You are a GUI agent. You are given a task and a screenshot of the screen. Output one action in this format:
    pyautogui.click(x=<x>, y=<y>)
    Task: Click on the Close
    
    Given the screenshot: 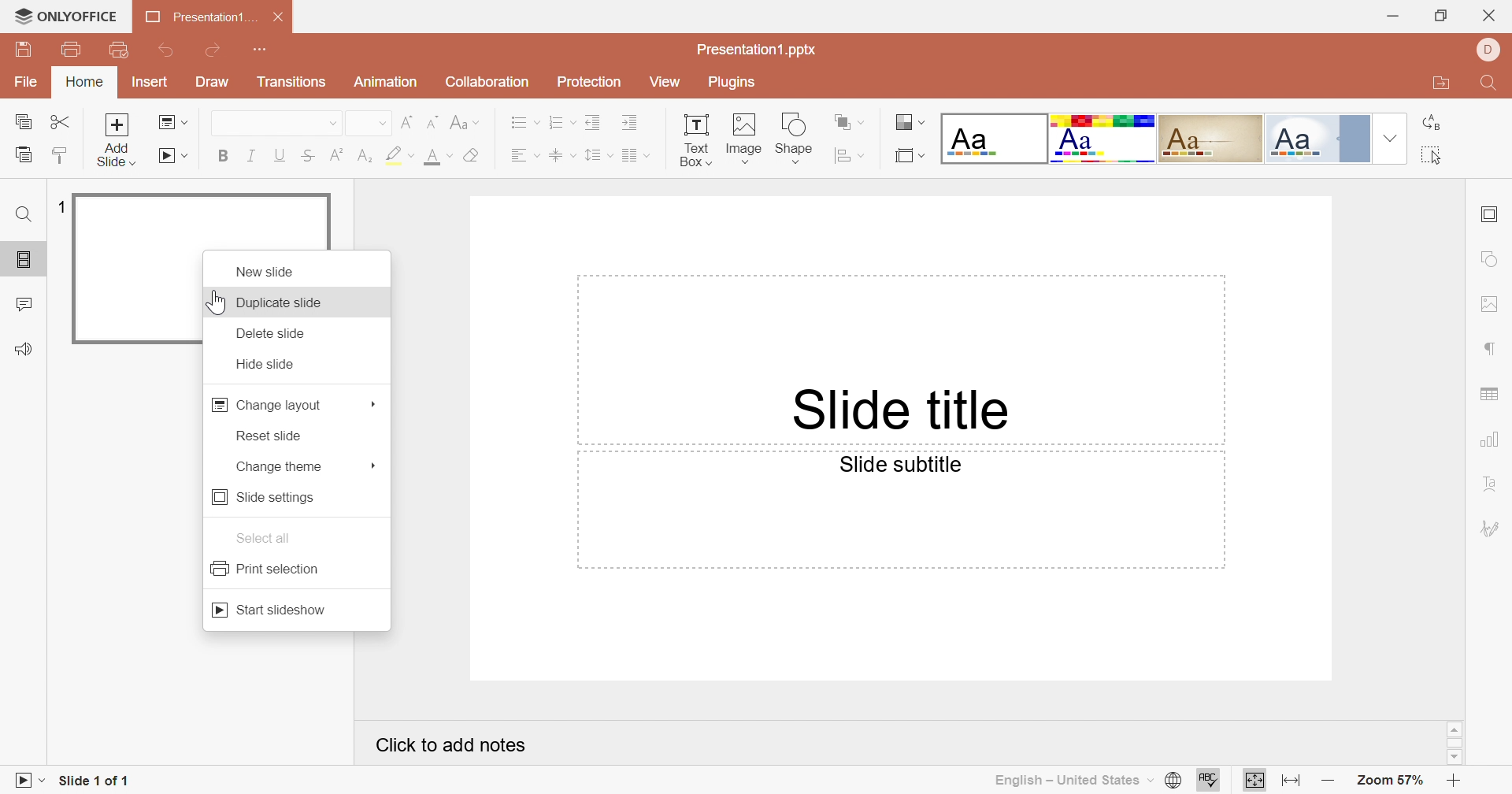 What is the action you would take?
    pyautogui.click(x=276, y=14)
    